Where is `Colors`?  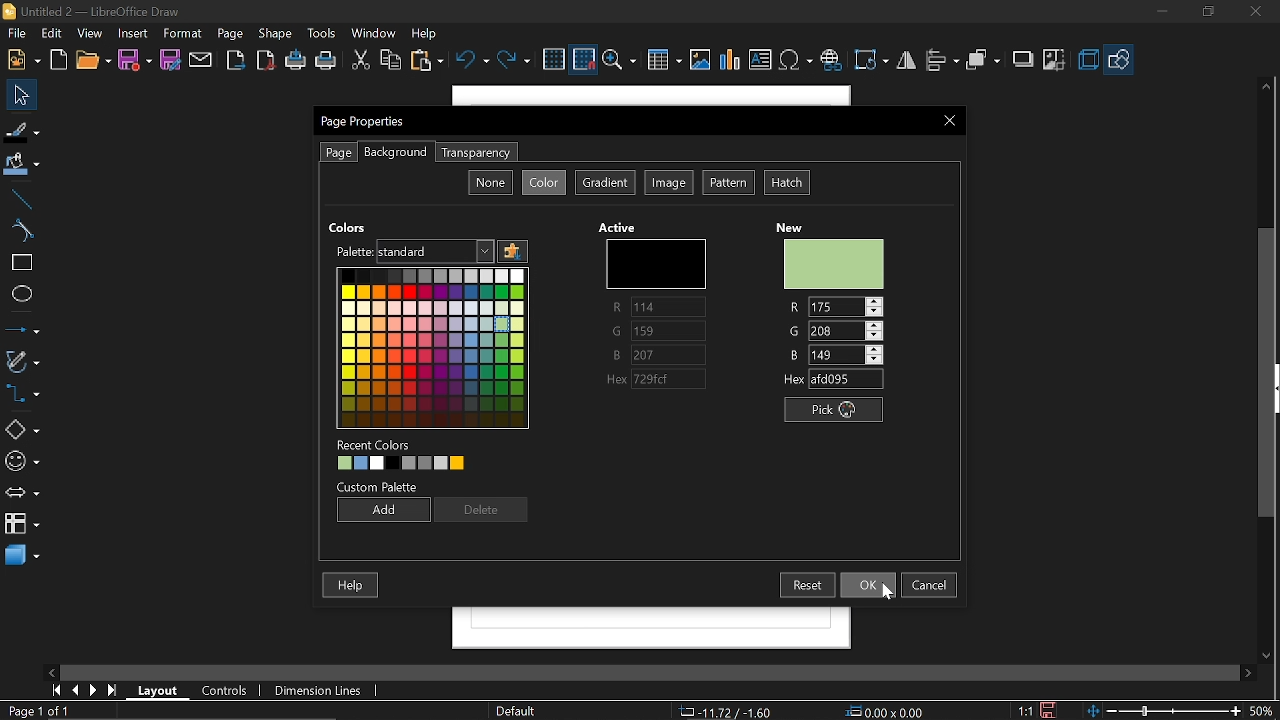
Colors is located at coordinates (349, 226).